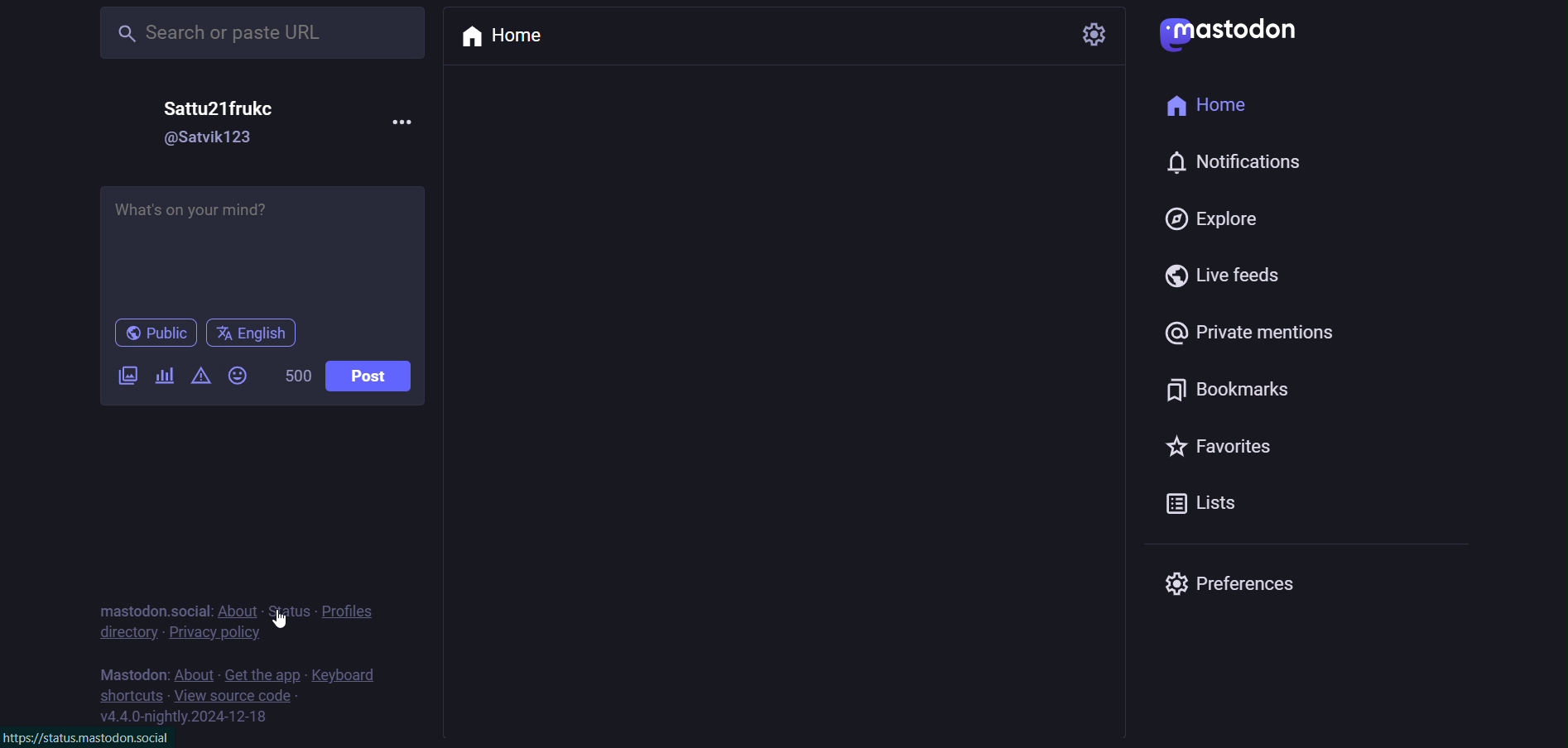 Image resolution: width=1568 pixels, height=748 pixels. Describe the element at coordinates (286, 611) in the screenshot. I see `status` at that location.